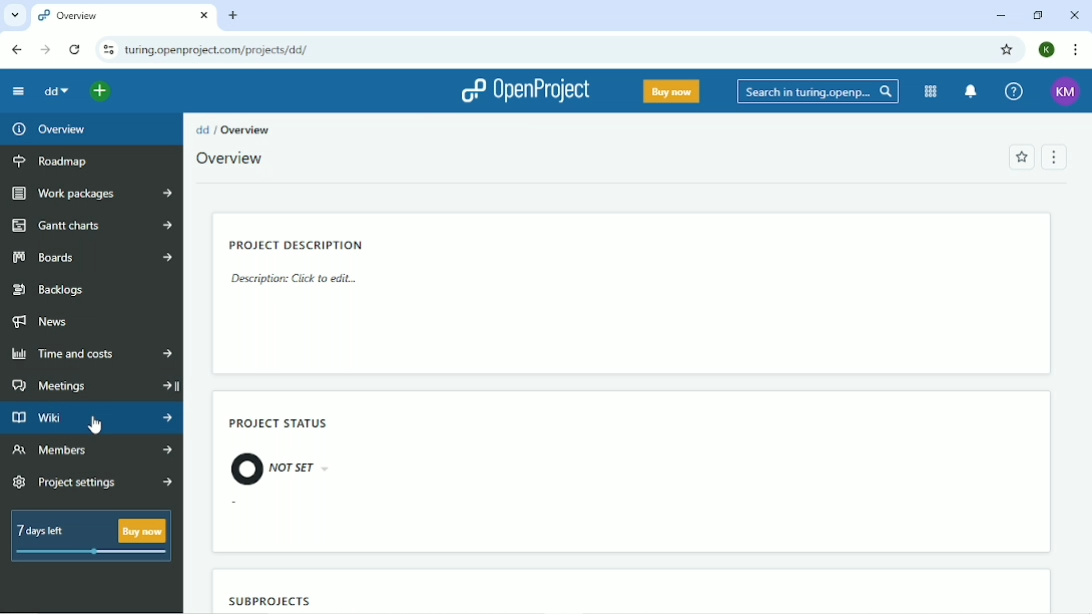 The width and height of the screenshot is (1092, 614). I want to click on Help, so click(1014, 91).